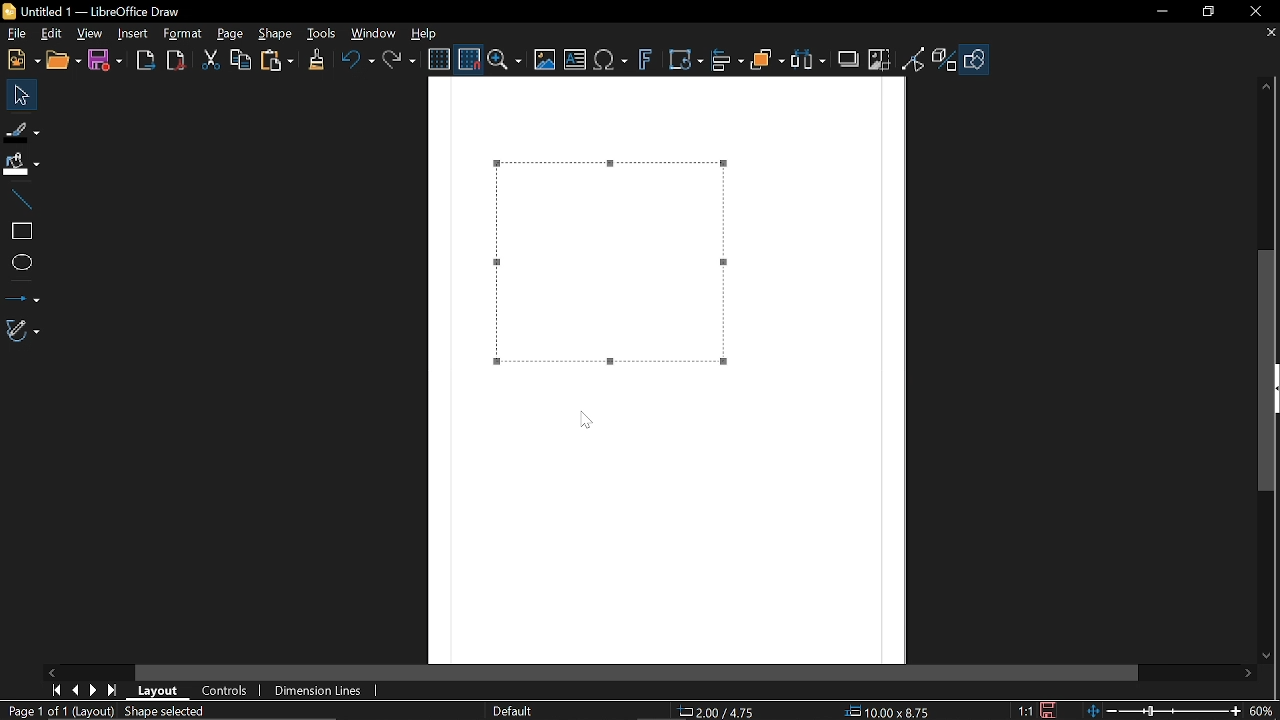 This screenshot has height=720, width=1280. Describe the element at coordinates (176, 60) in the screenshot. I see `Export to pdf` at that location.